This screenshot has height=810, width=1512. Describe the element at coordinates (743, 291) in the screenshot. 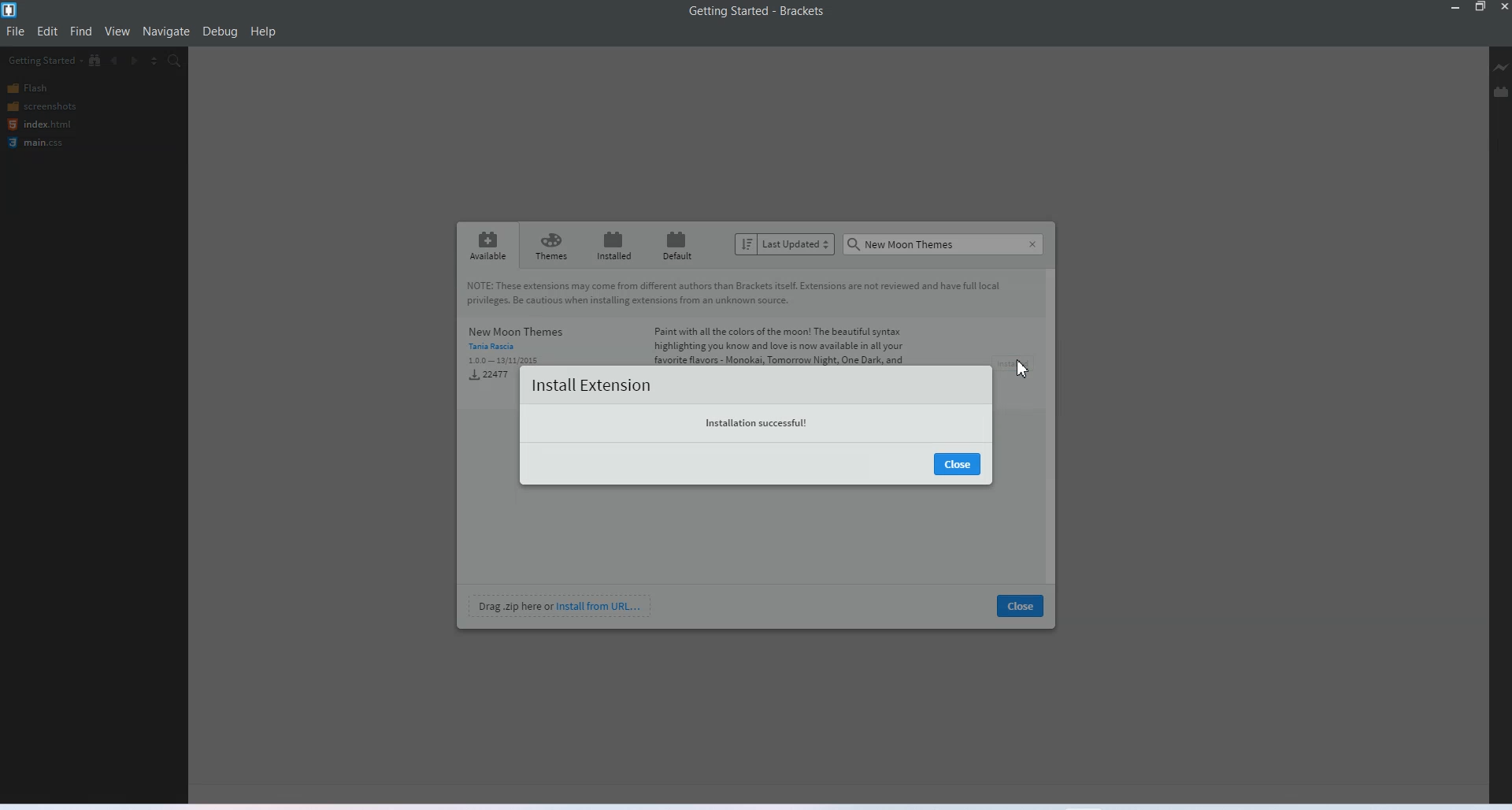

I see `Note : These extensions may come from different authors than Brackets itself. Extensions are not reviewed and have full local privileges. be cautious when installing extensions from an unknown source.` at that location.